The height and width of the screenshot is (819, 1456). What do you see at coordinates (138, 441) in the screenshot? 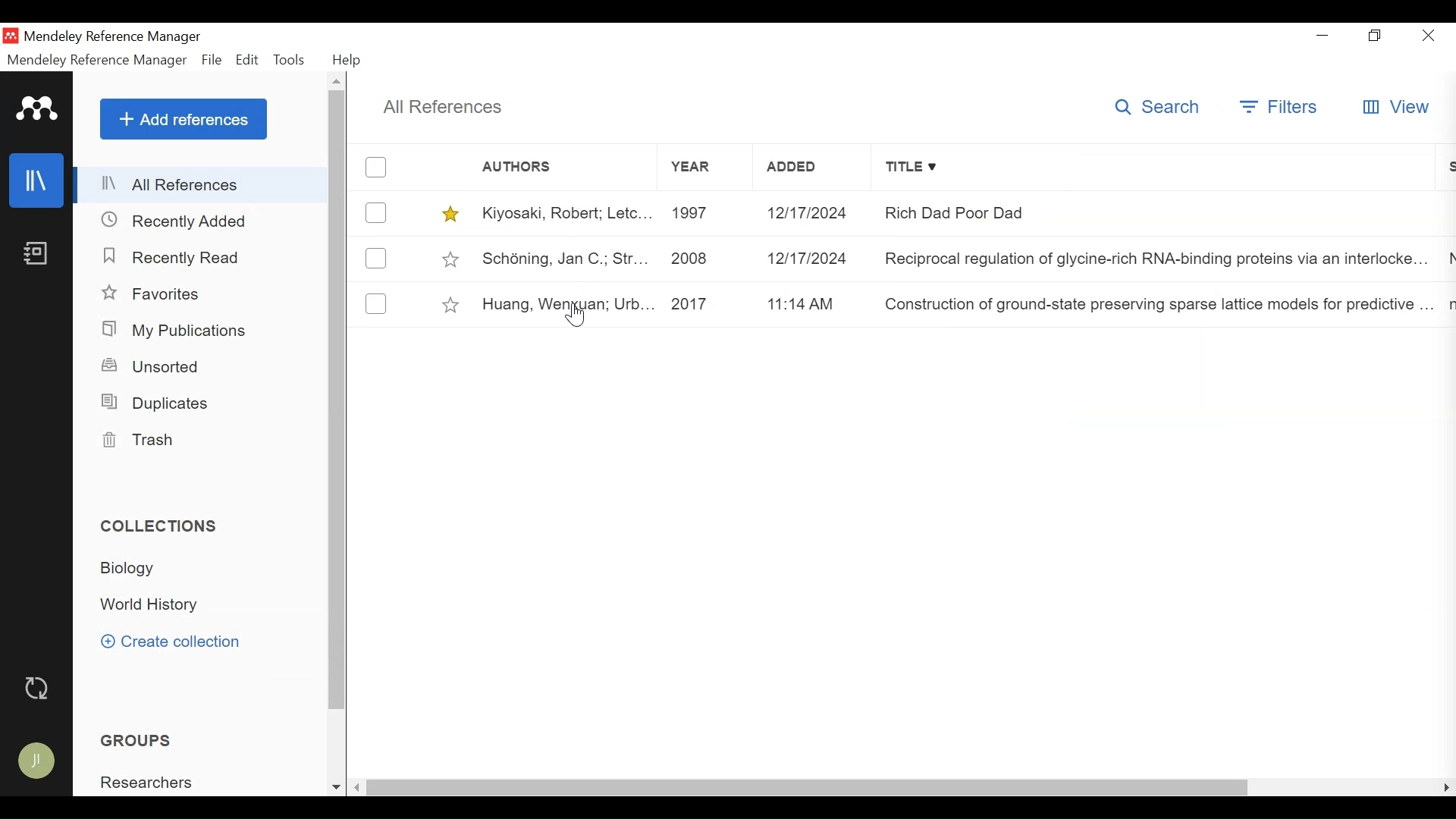
I see `Trash` at bounding box center [138, 441].